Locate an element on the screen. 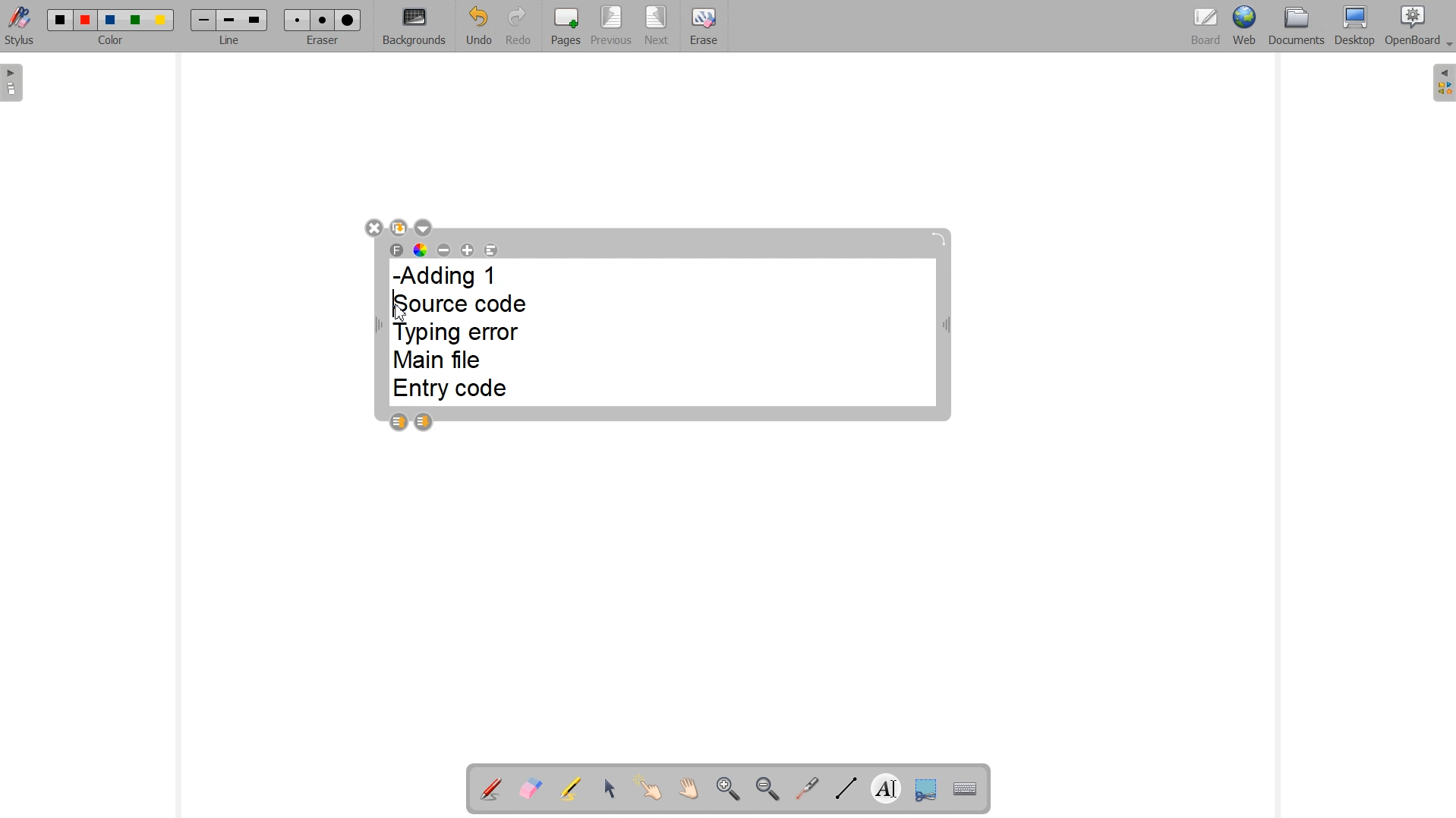 The image size is (1456, 818). Redo is located at coordinates (516, 25).